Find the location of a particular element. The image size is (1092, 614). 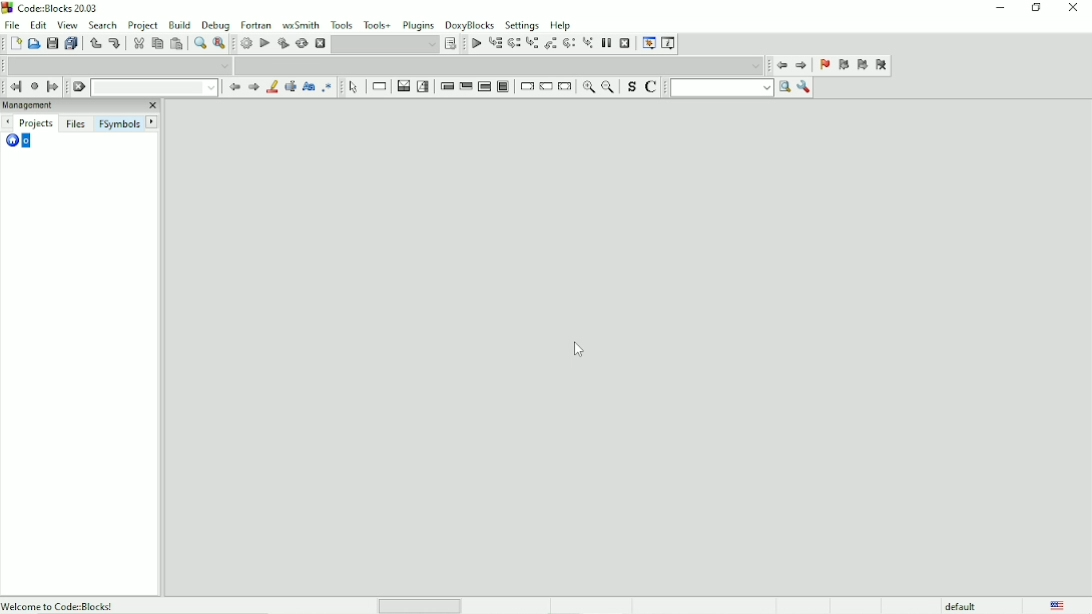

Debugging windows is located at coordinates (647, 44).